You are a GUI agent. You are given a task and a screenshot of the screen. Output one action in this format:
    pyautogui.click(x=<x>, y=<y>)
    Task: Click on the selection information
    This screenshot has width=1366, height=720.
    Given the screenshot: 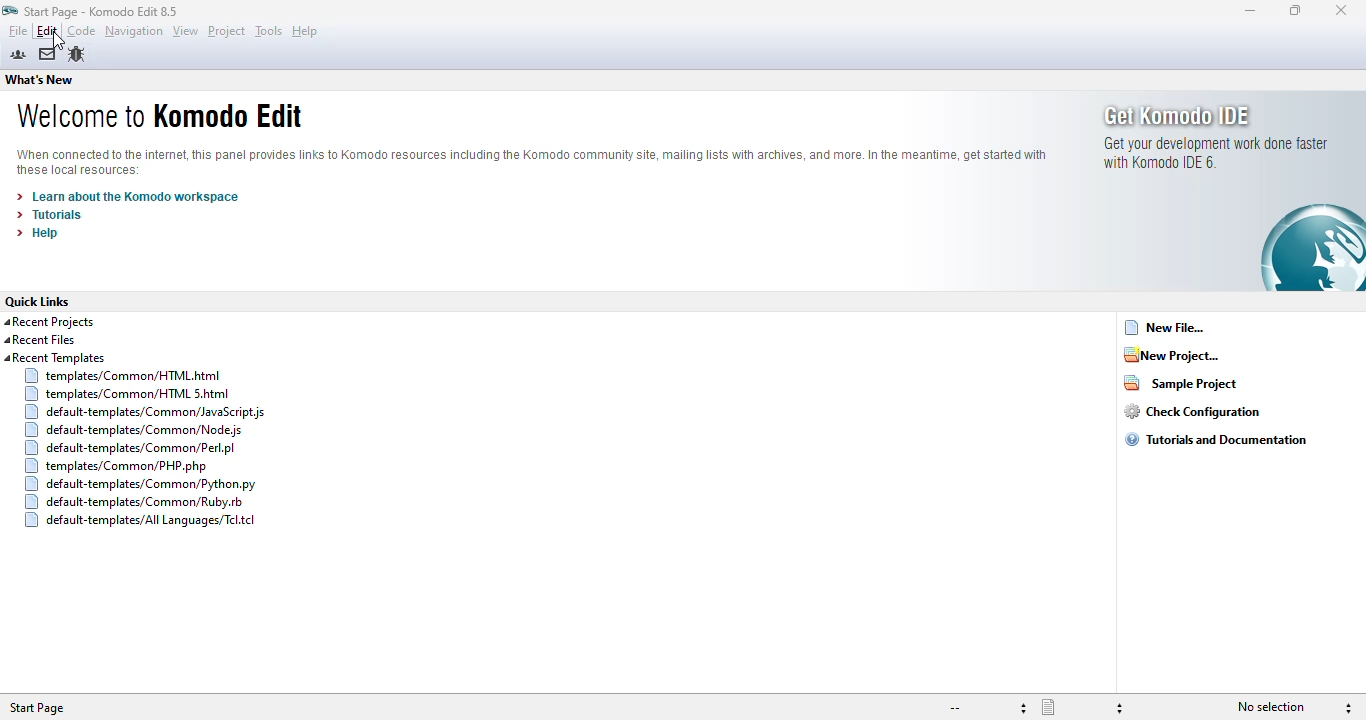 What is the action you would take?
    pyautogui.click(x=1293, y=707)
    